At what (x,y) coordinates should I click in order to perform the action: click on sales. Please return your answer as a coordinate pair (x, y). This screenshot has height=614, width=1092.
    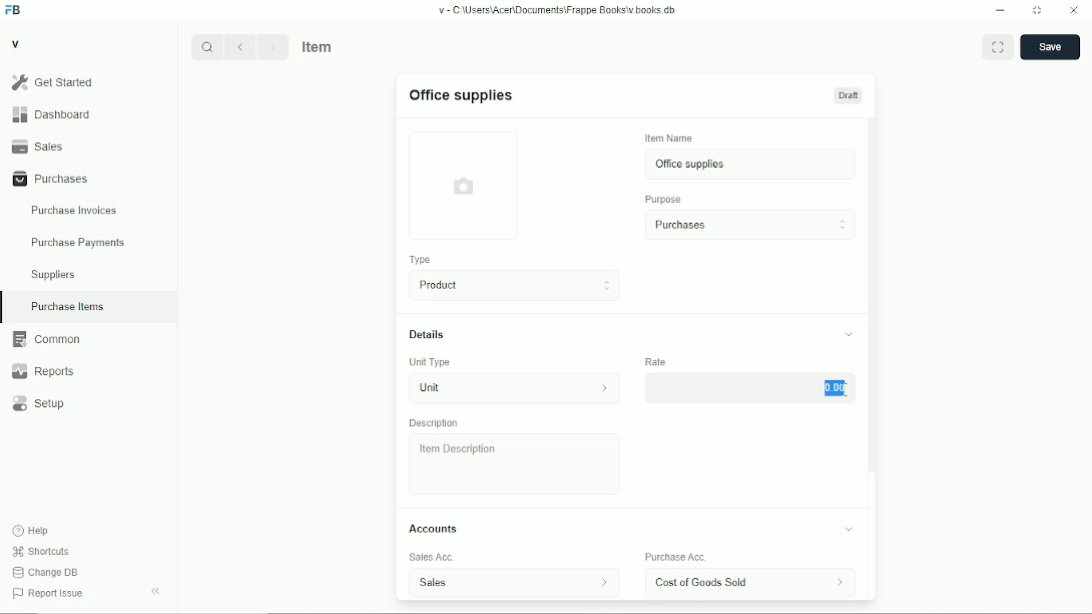
    Looking at the image, I should click on (38, 146).